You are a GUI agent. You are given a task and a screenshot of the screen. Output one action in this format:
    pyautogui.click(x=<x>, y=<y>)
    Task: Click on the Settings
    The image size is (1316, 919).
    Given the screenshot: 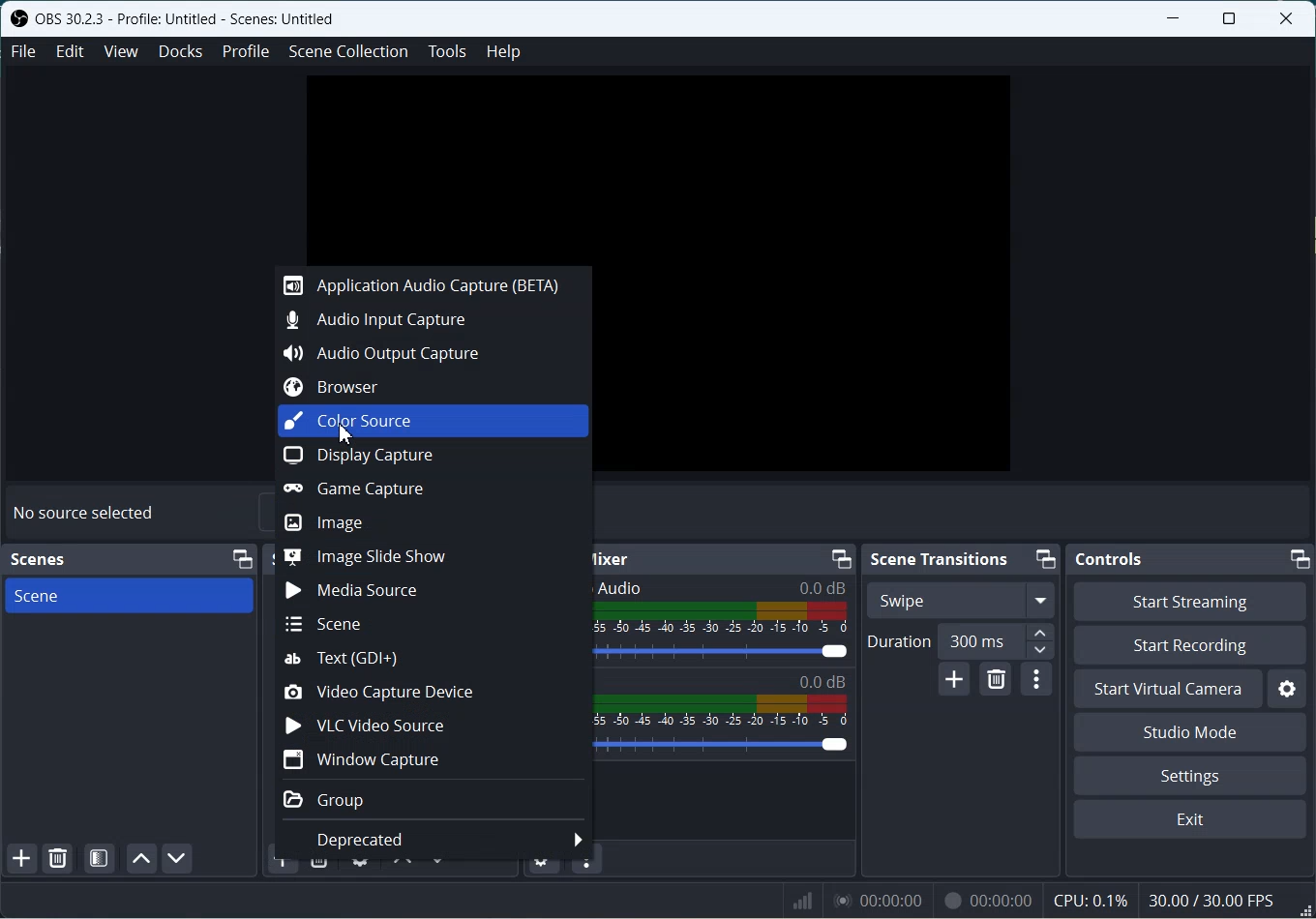 What is the action you would take?
    pyautogui.click(x=1188, y=775)
    